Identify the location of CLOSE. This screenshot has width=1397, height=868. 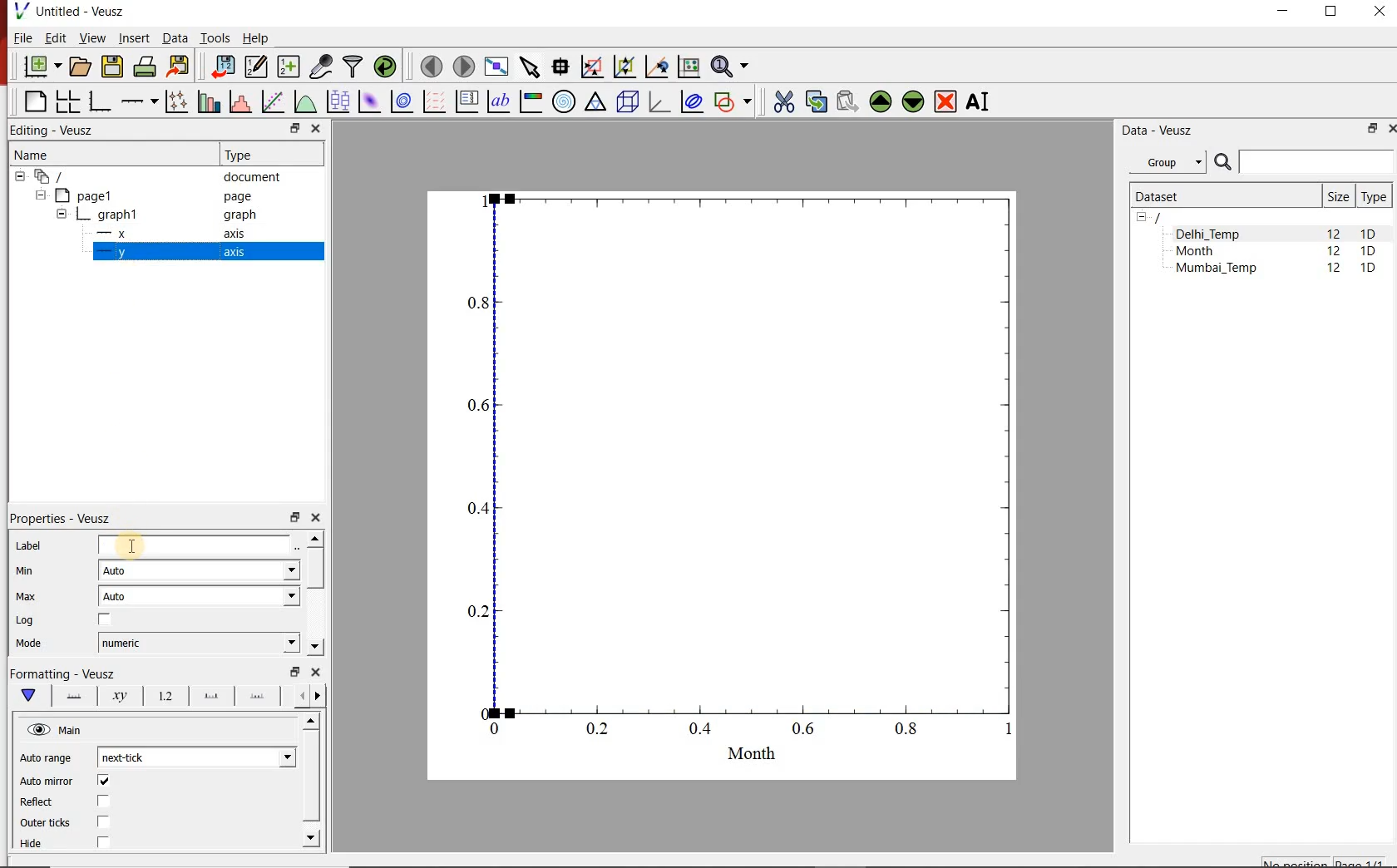
(1390, 129).